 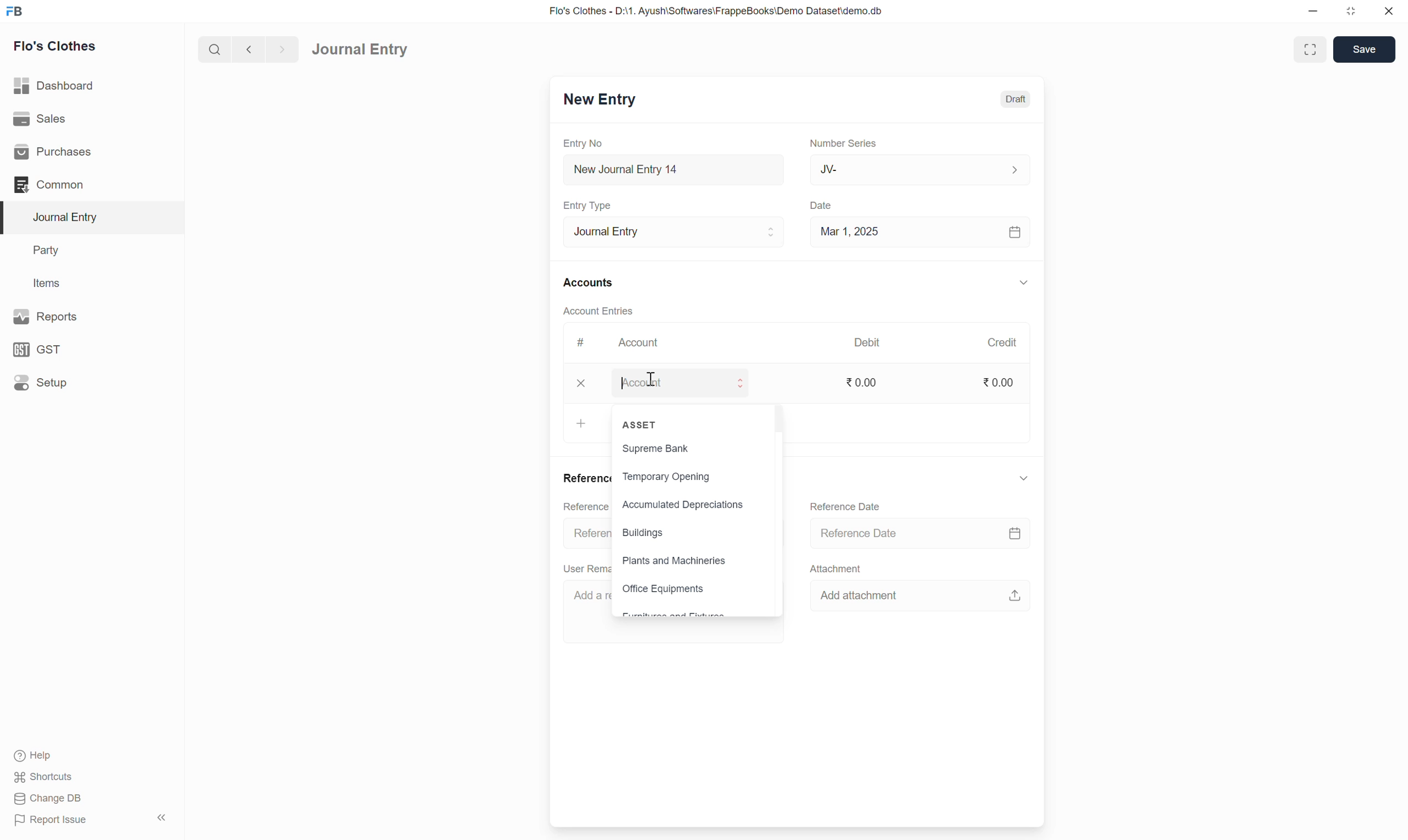 I want to click on Journal Entry, so click(x=674, y=231).